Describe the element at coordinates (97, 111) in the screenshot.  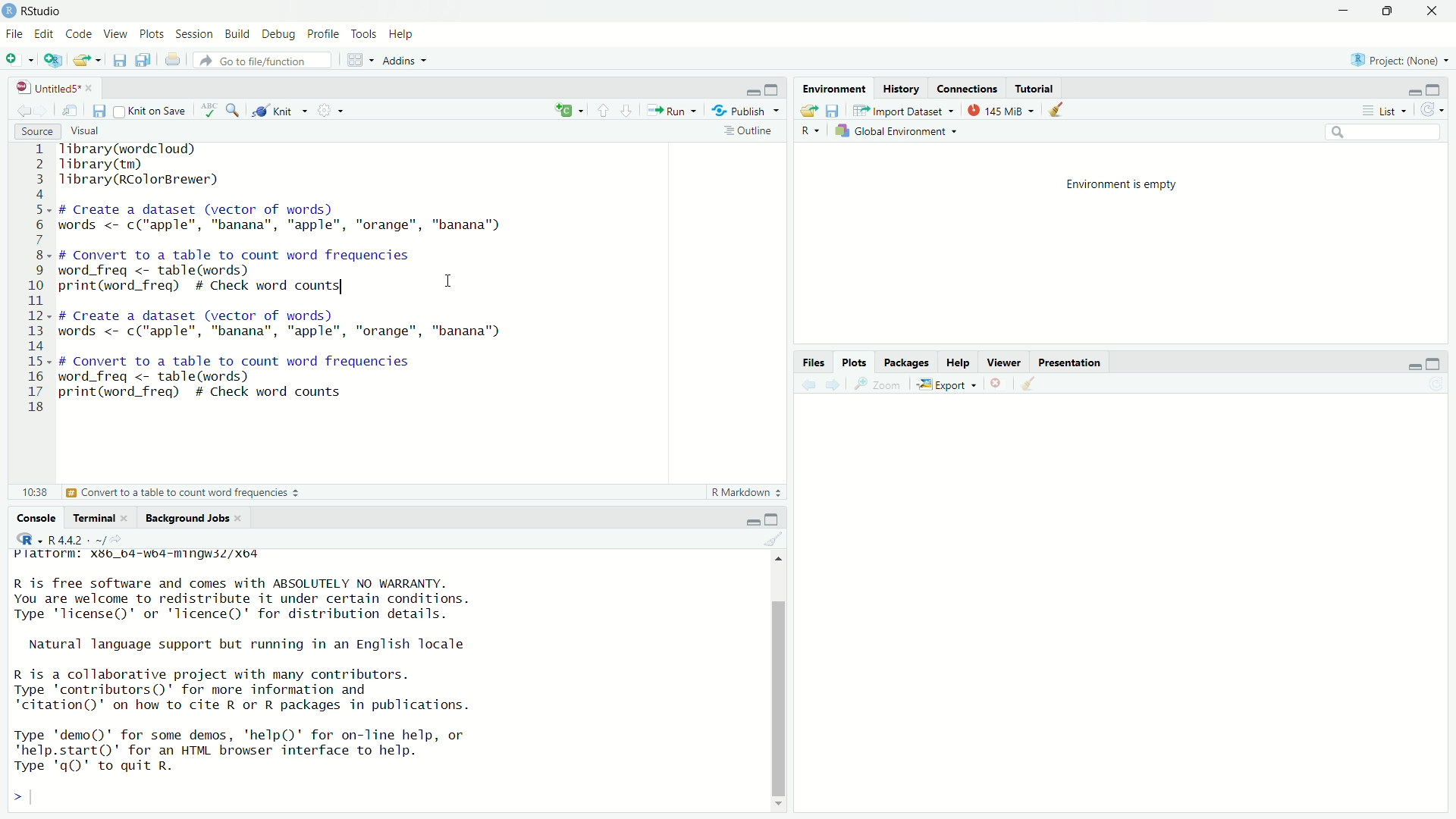
I see `Save` at that location.